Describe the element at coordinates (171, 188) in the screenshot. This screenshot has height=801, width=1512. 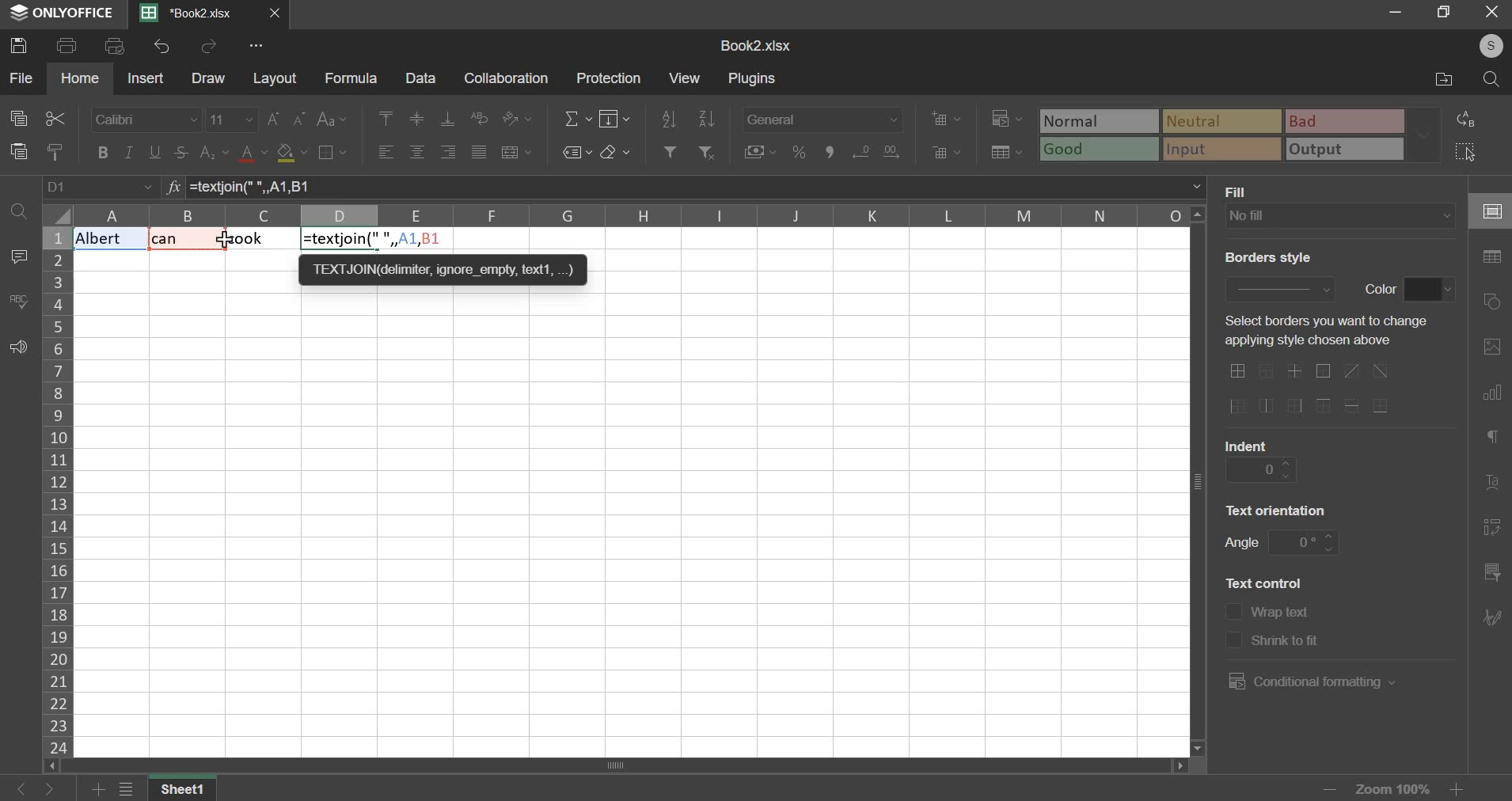
I see `formula` at that location.